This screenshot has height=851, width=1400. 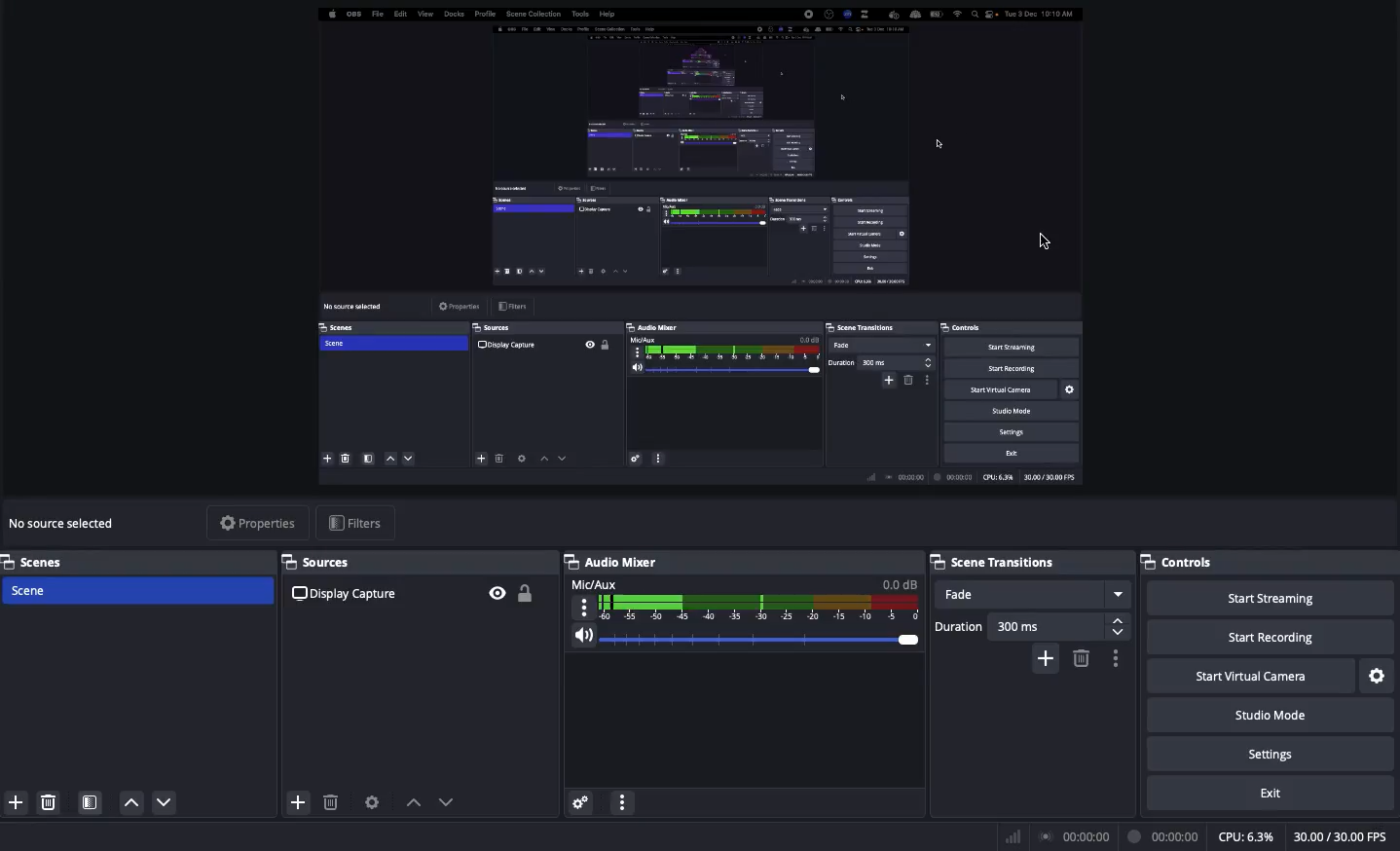 What do you see at coordinates (580, 804) in the screenshot?
I see `Advanced audio properties` at bounding box center [580, 804].